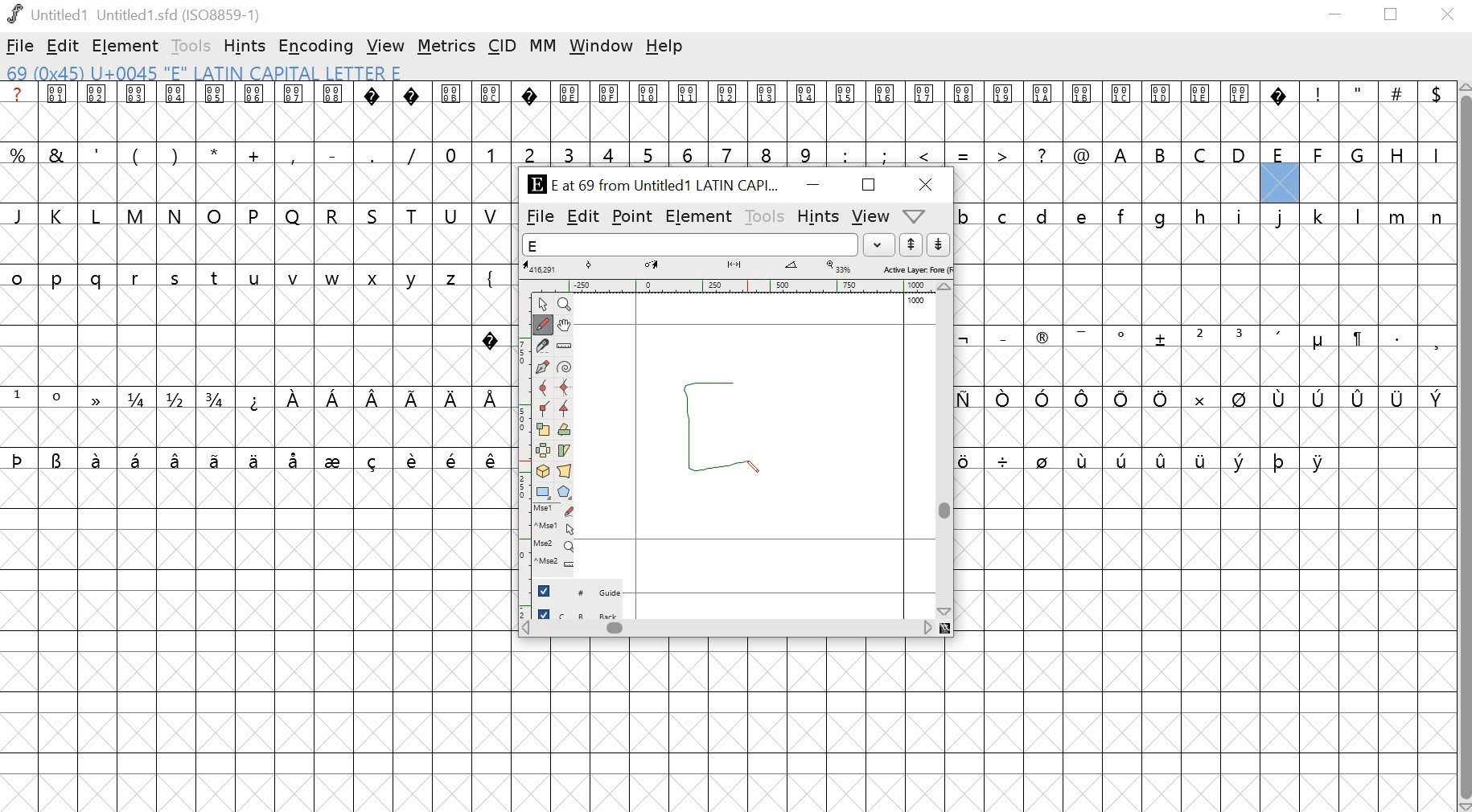 Image resolution: width=1472 pixels, height=812 pixels. Describe the element at coordinates (565, 430) in the screenshot. I see `Rotate` at that location.